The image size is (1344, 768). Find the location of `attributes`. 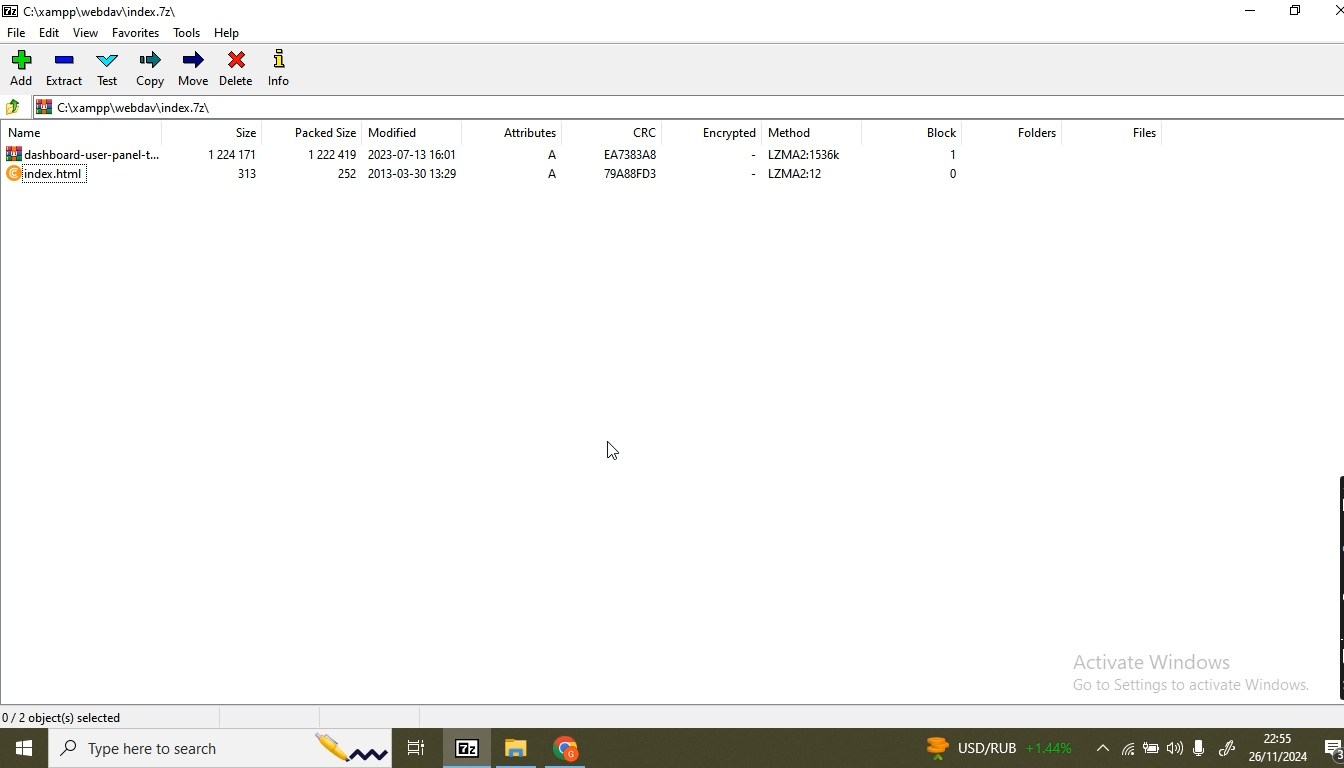

attributes is located at coordinates (536, 130).